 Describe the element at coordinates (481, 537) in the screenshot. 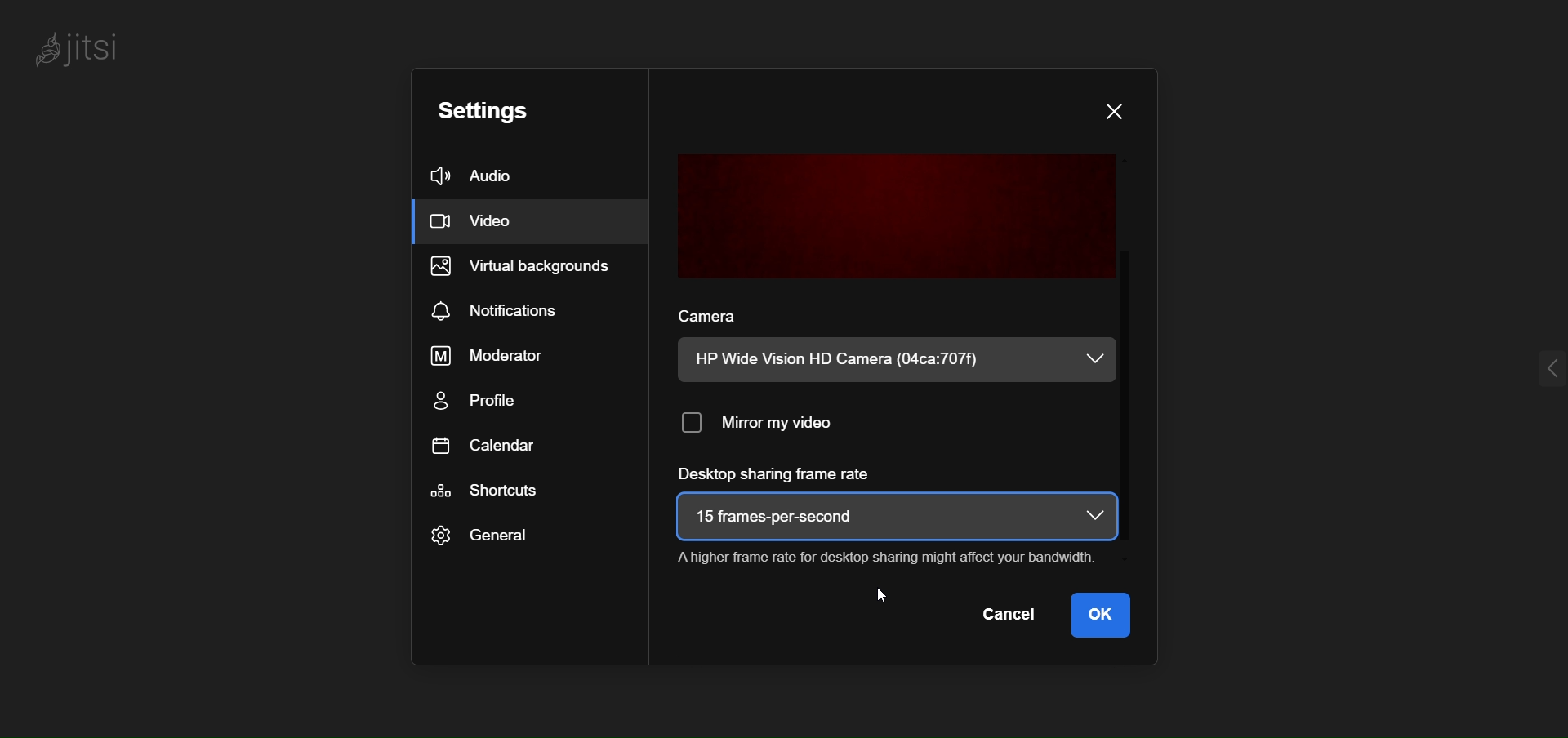

I see `general` at that location.